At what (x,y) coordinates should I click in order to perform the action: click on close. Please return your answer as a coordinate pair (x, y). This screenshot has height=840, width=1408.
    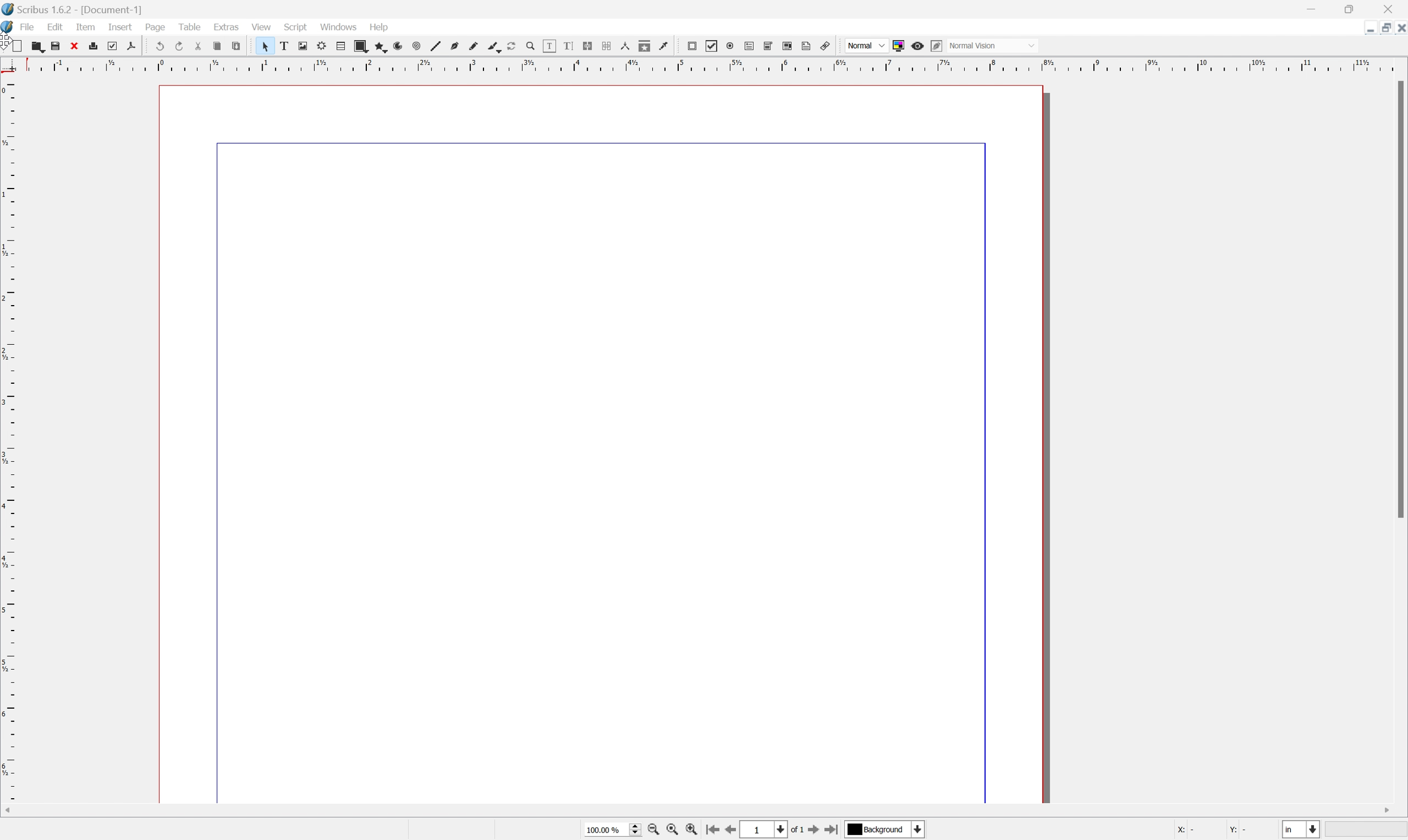
    Looking at the image, I should click on (73, 45).